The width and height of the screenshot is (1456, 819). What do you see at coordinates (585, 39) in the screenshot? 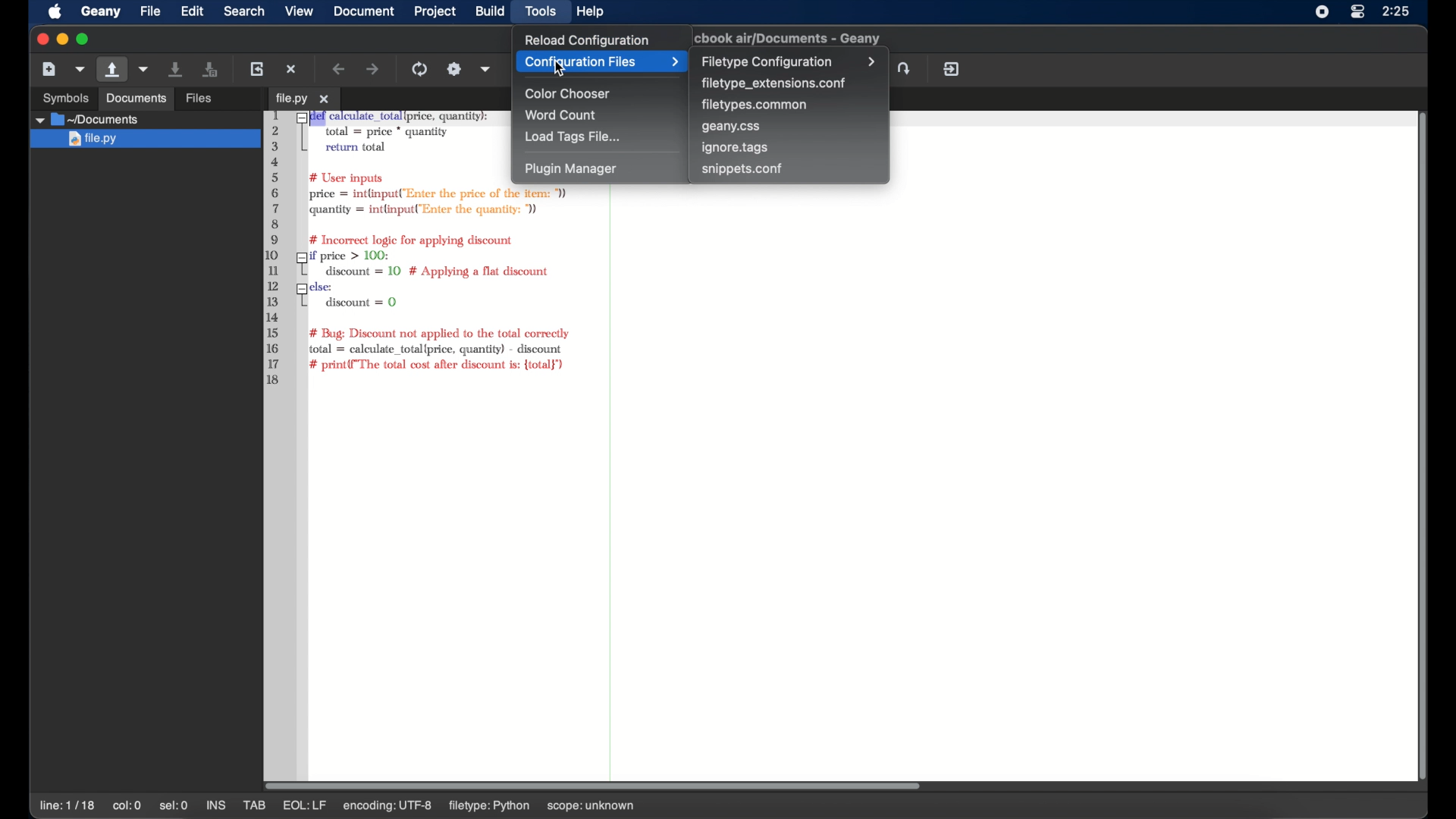
I see `reload configuration` at bounding box center [585, 39].